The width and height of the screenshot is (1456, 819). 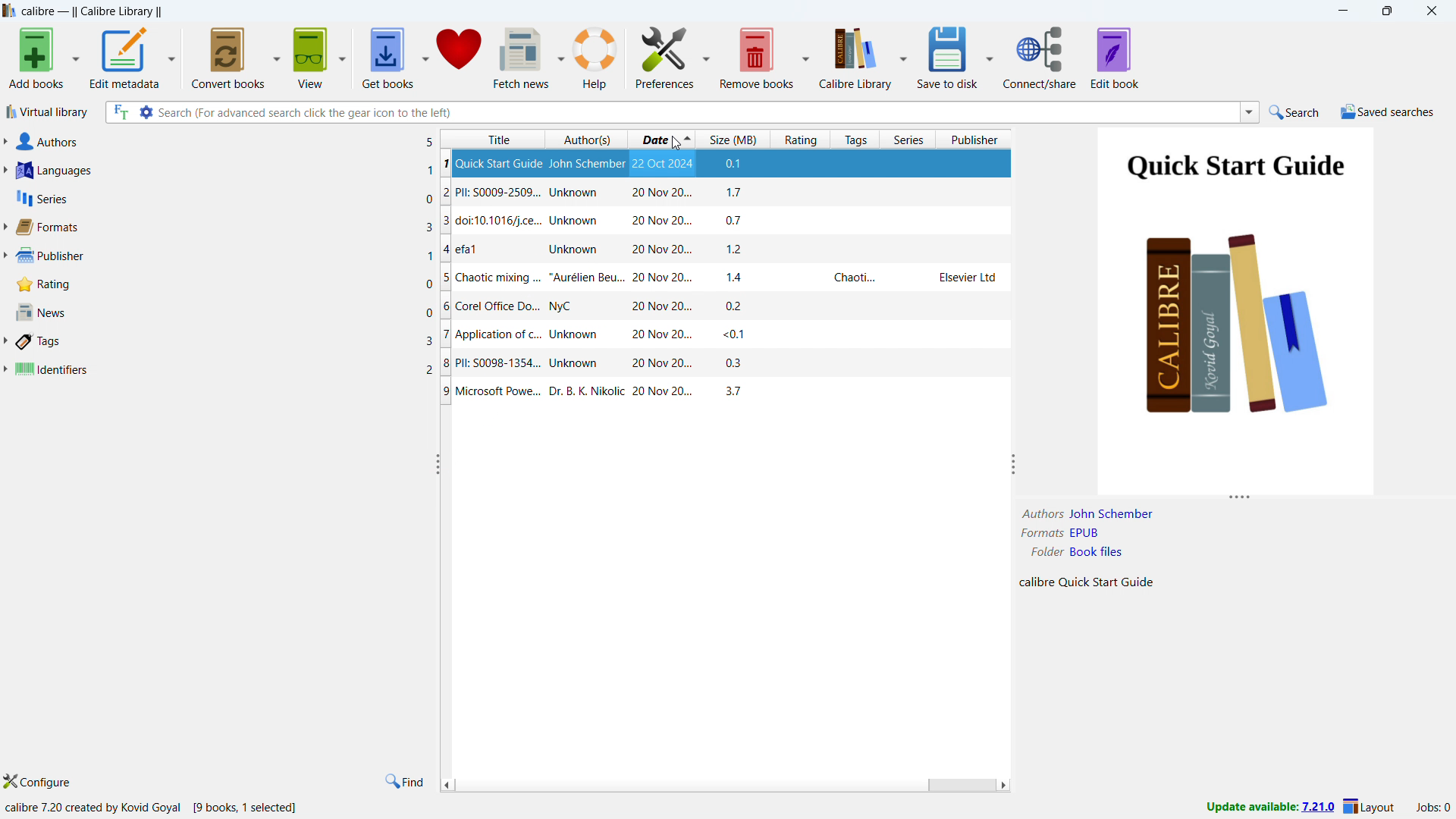 I want to click on Unknown, so click(x=582, y=163).